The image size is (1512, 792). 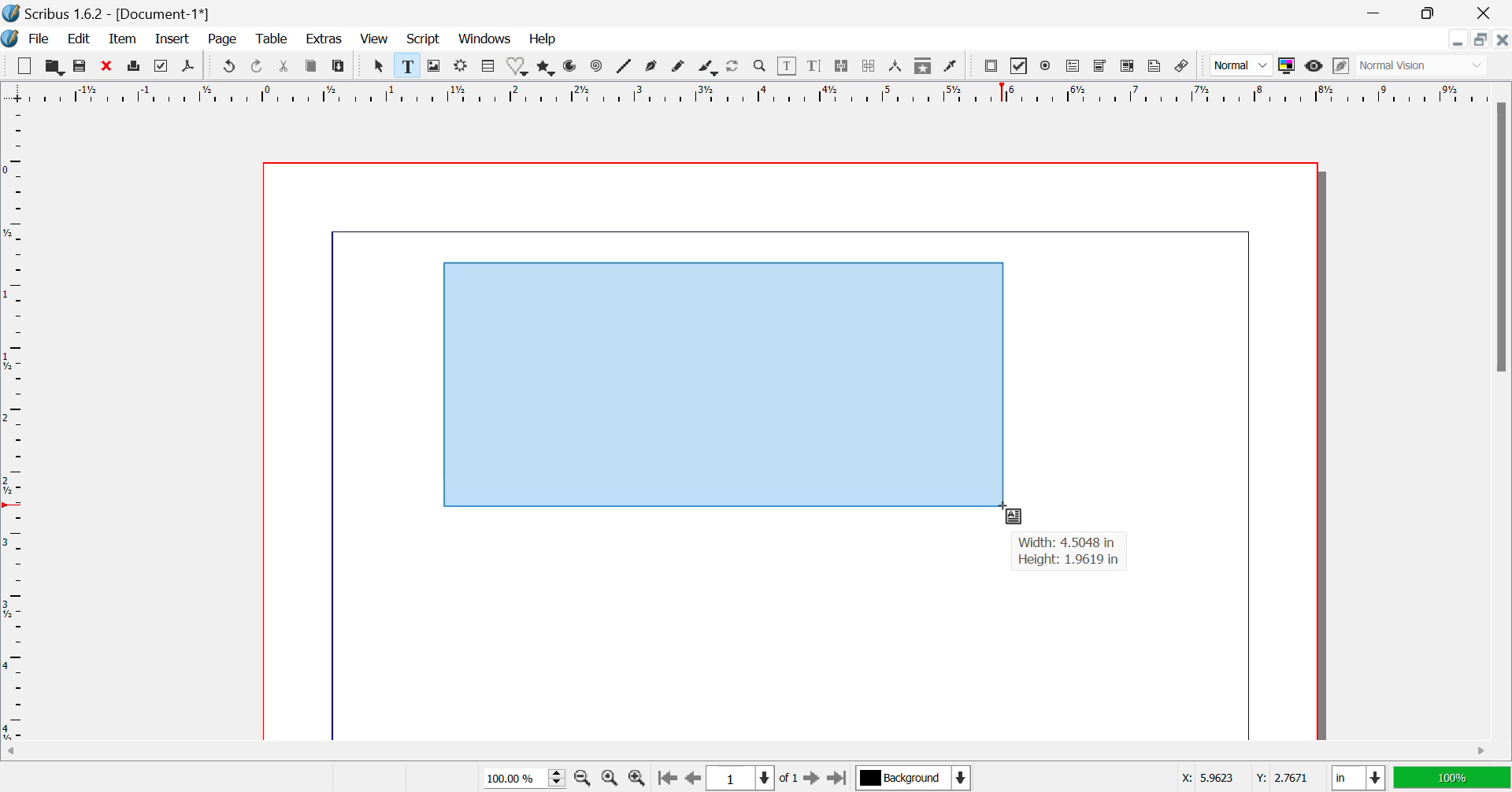 I want to click on New, so click(x=24, y=65).